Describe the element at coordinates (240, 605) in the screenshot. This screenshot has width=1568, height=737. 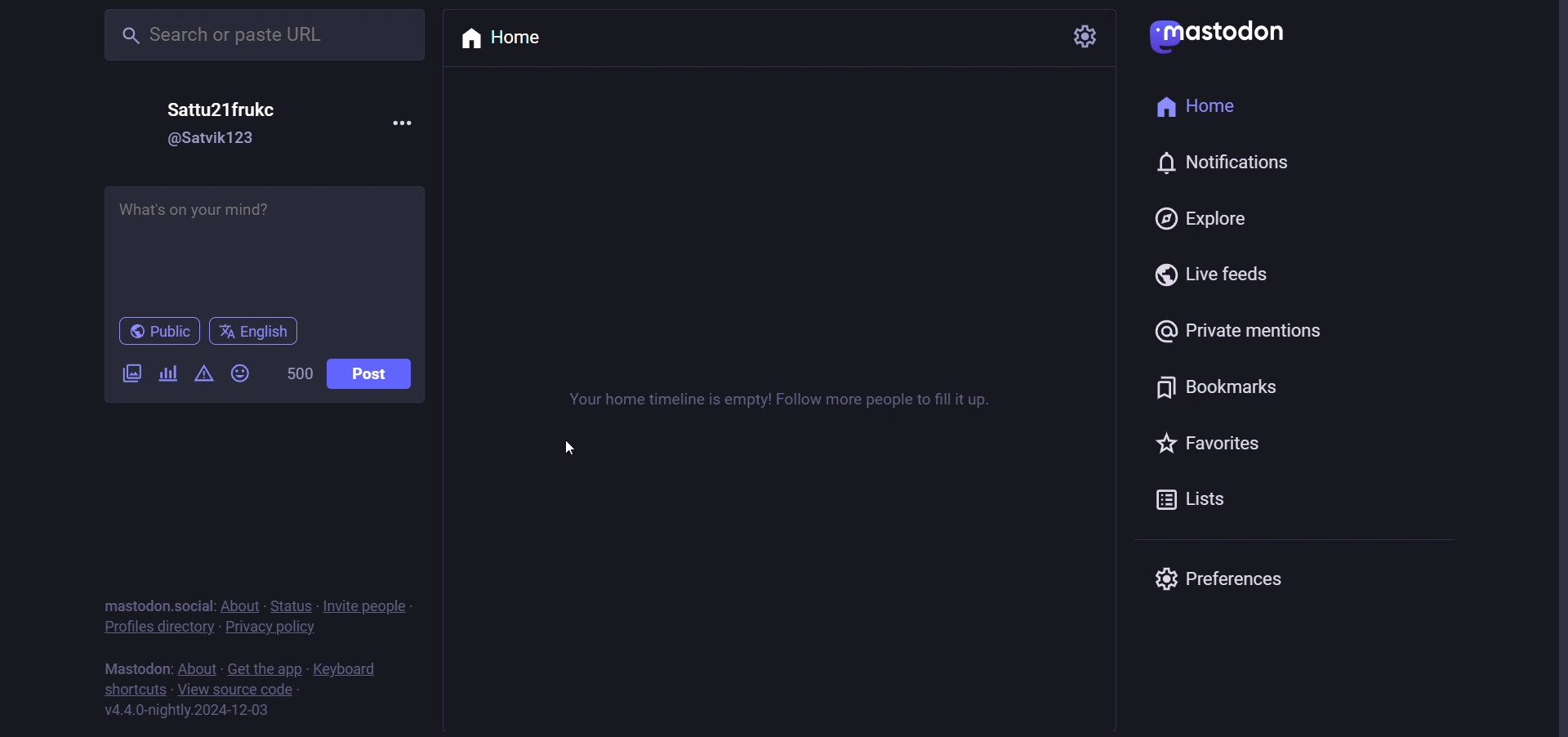
I see `about` at that location.